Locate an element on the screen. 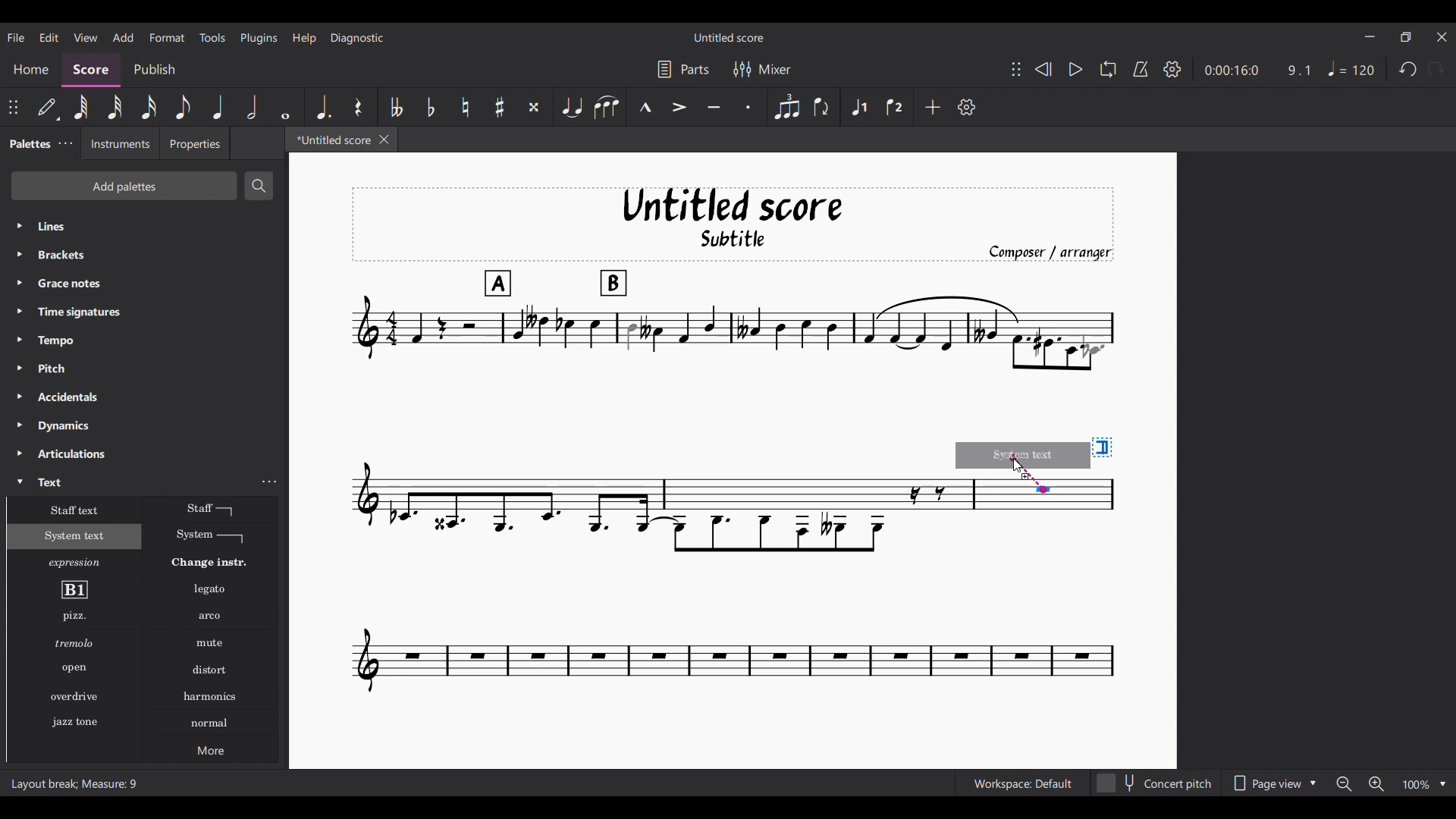 Image resolution: width=1456 pixels, height=819 pixels. Zoom in is located at coordinates (1376, 783).